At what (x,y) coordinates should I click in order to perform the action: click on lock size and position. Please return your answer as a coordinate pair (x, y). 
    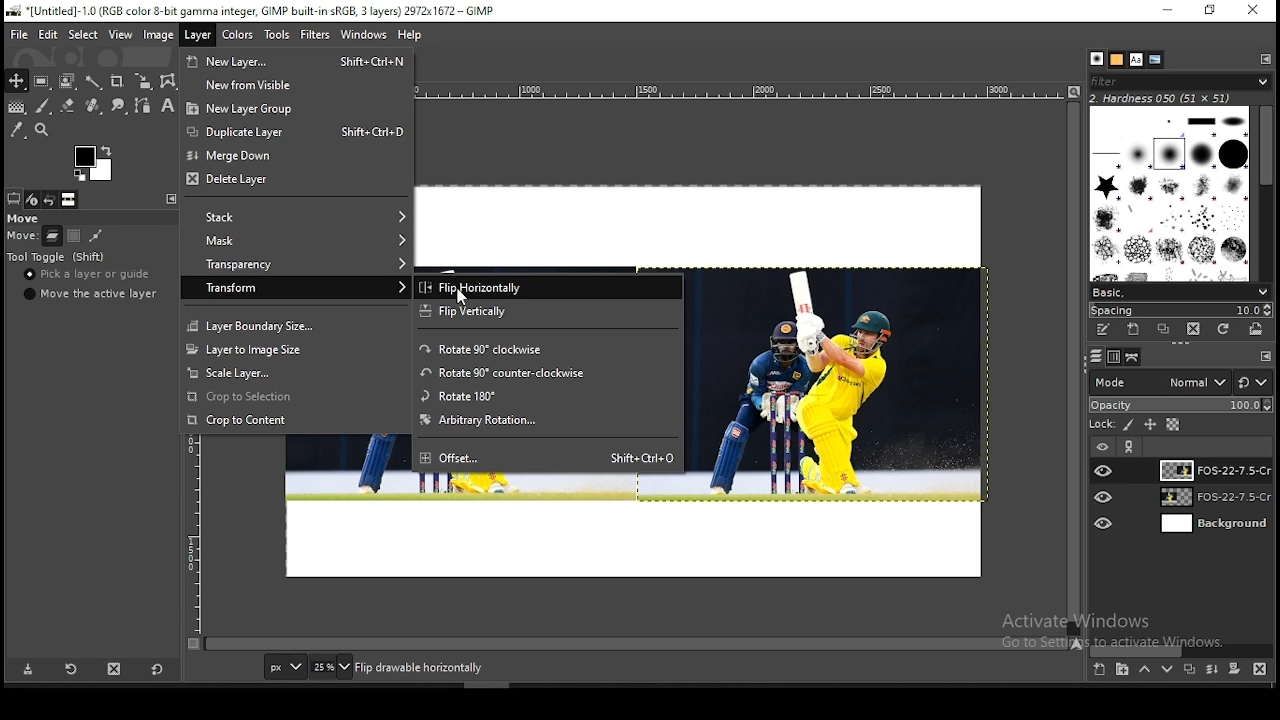
    Looking at the image, I should click on (1151, 426).